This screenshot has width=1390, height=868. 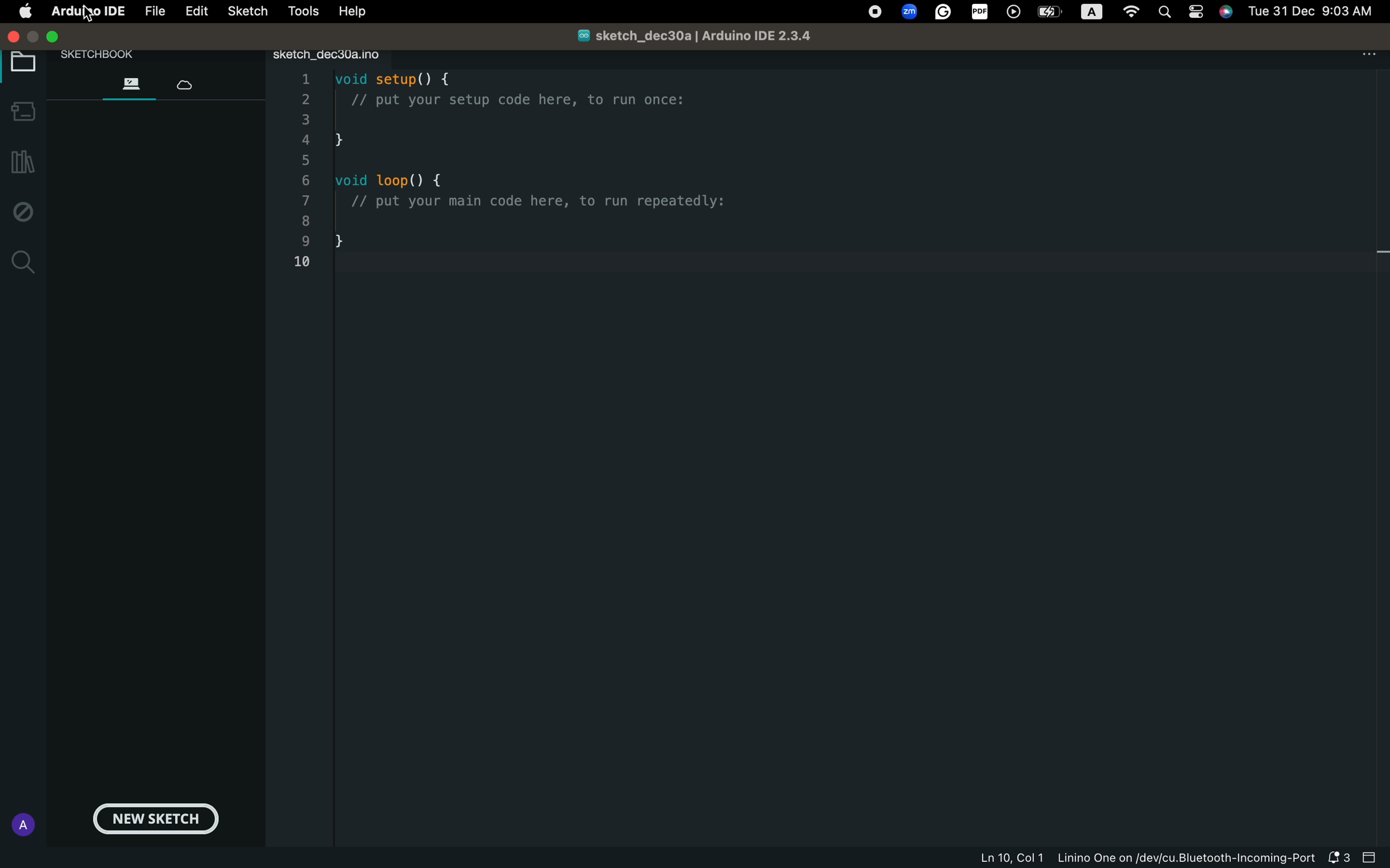 What do you see at coordinates (981, 11) in the screenshot?
I see `PDF` at bounding box center [981, 11].